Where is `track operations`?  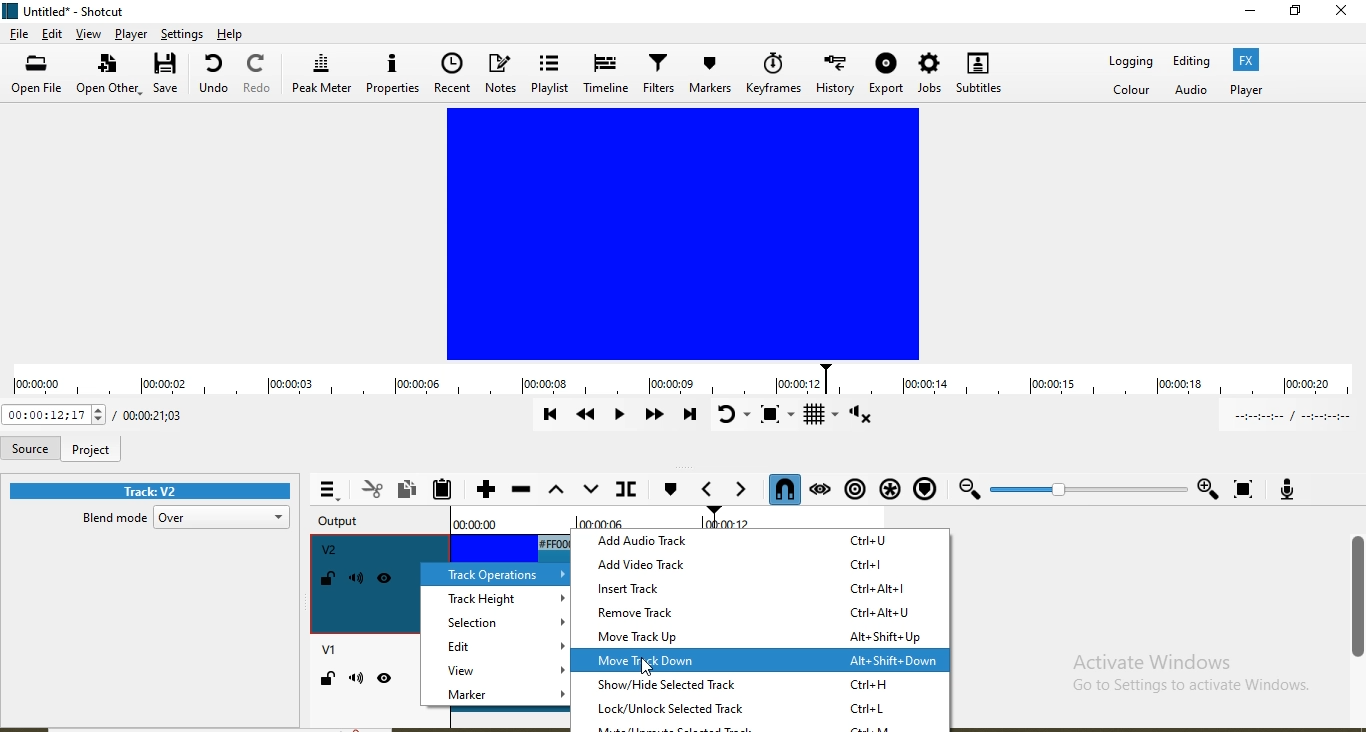 track operations is located at coordinates (490, 572).